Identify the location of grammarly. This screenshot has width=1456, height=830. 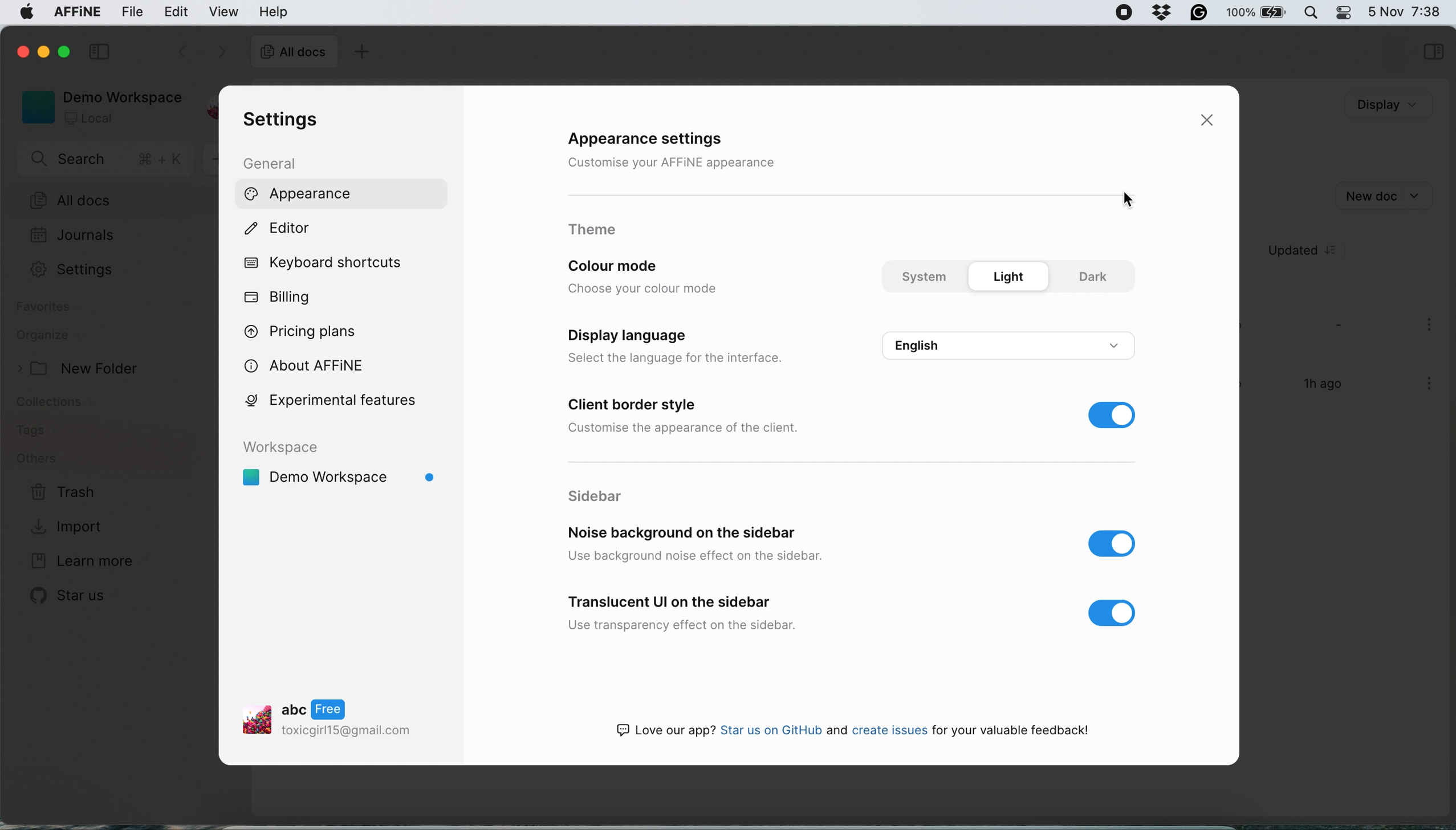
(1201, 13).